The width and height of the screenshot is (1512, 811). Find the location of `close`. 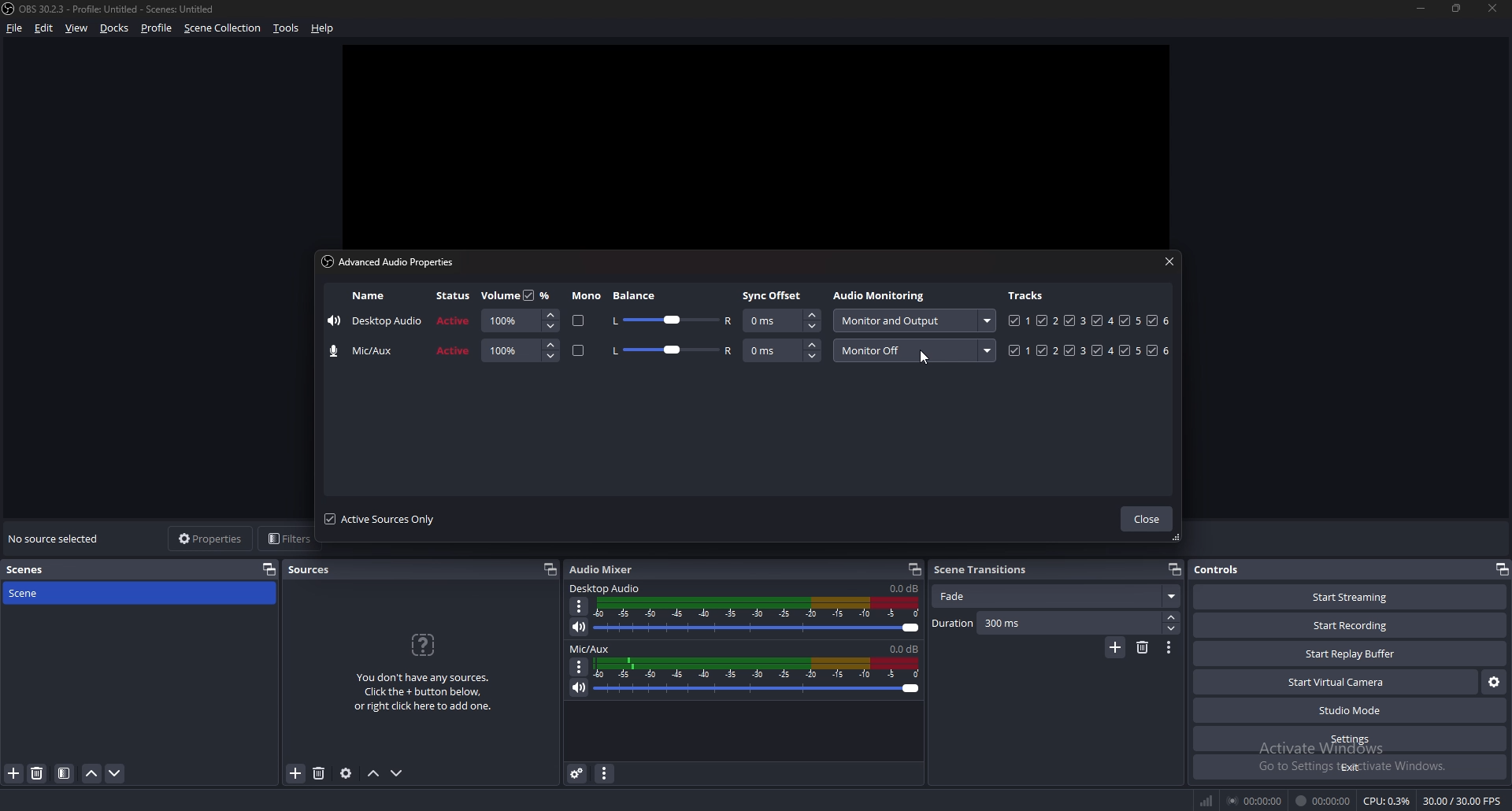

close is located at coordinates (1147, 519).